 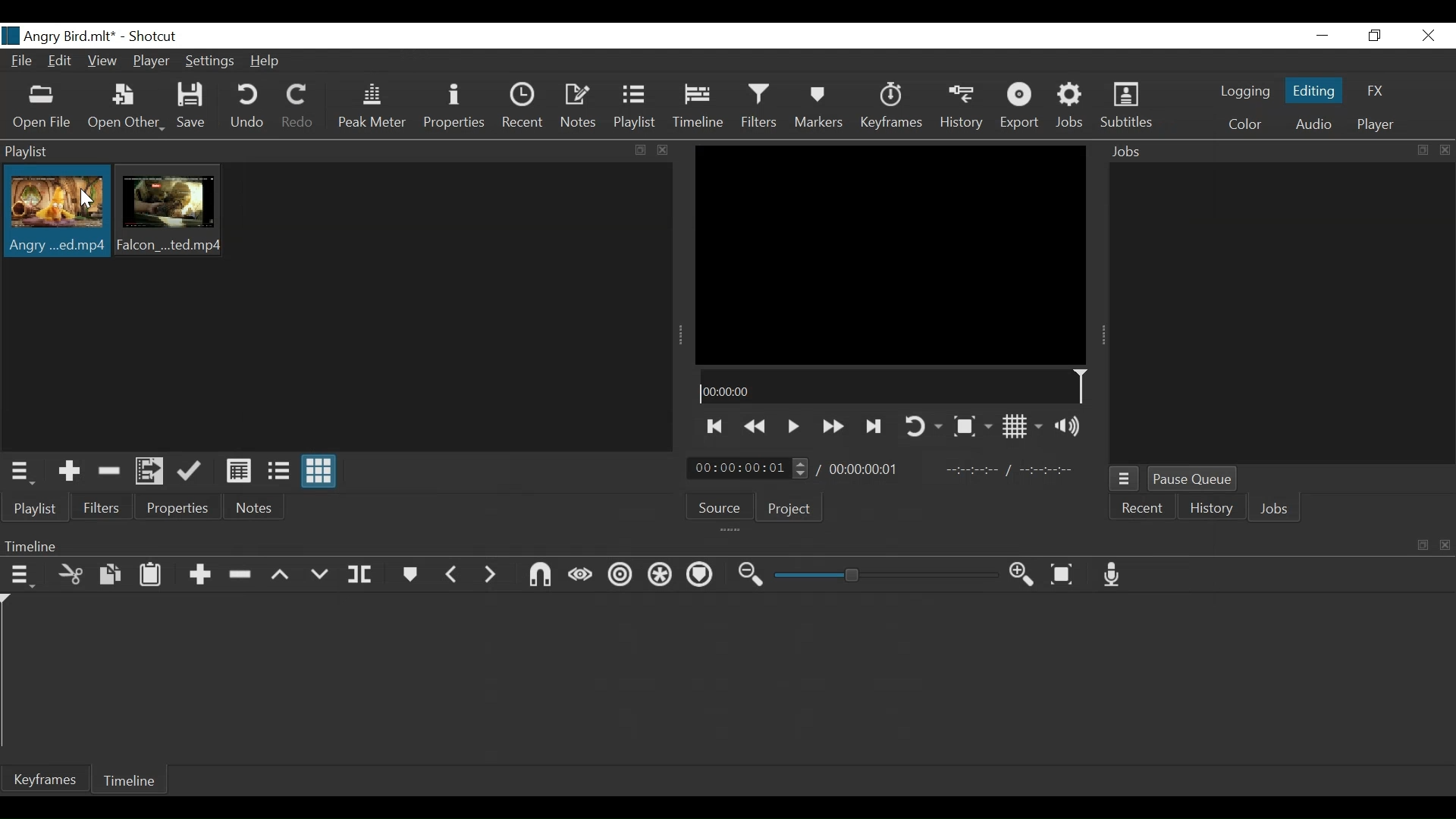 What do you see at coordinates (795, 426) in the screenshot?
I see `Toggle play or pause` at bounding box center [795, 426].